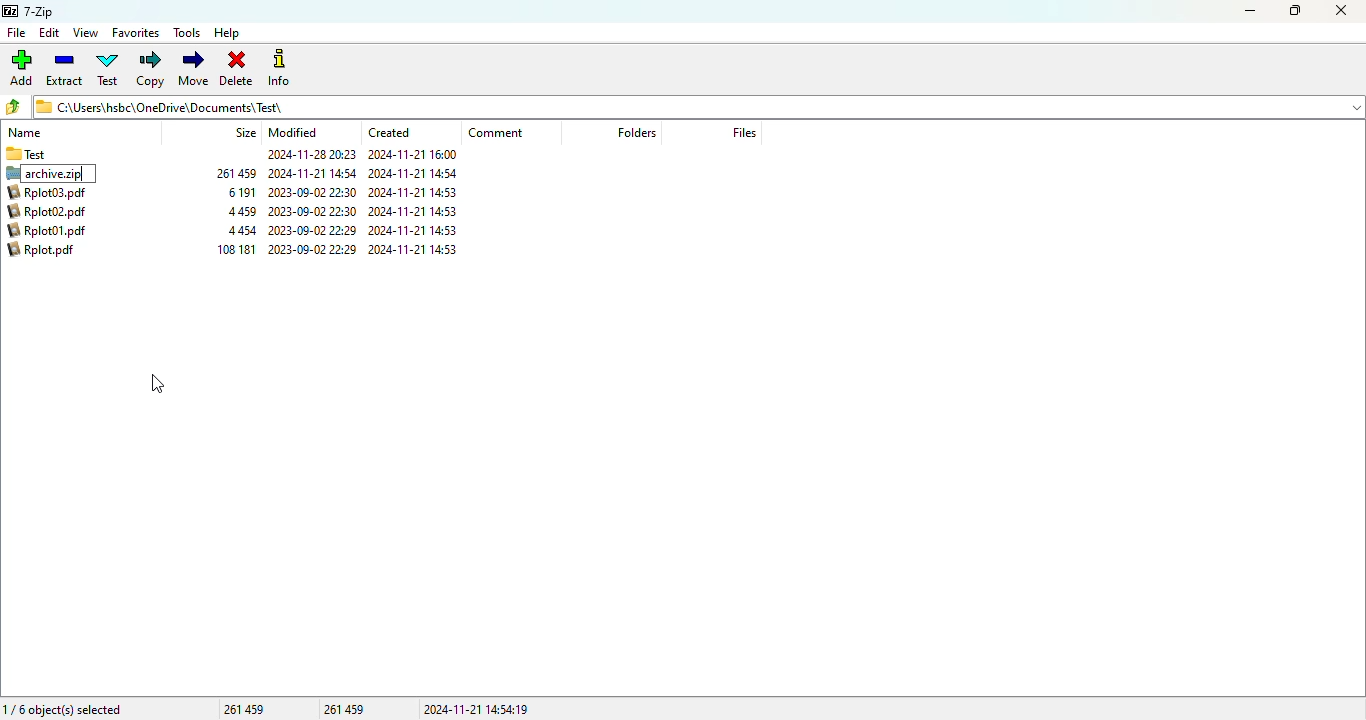 This screenshot has width=1366, height=720. What do you see at coordinates (53, 212) in the screenshot?
I see `Rplot02.pdf 4459 2023-09-02 22:30 2024-11-21 14:53` at bounding box center [53, 212].